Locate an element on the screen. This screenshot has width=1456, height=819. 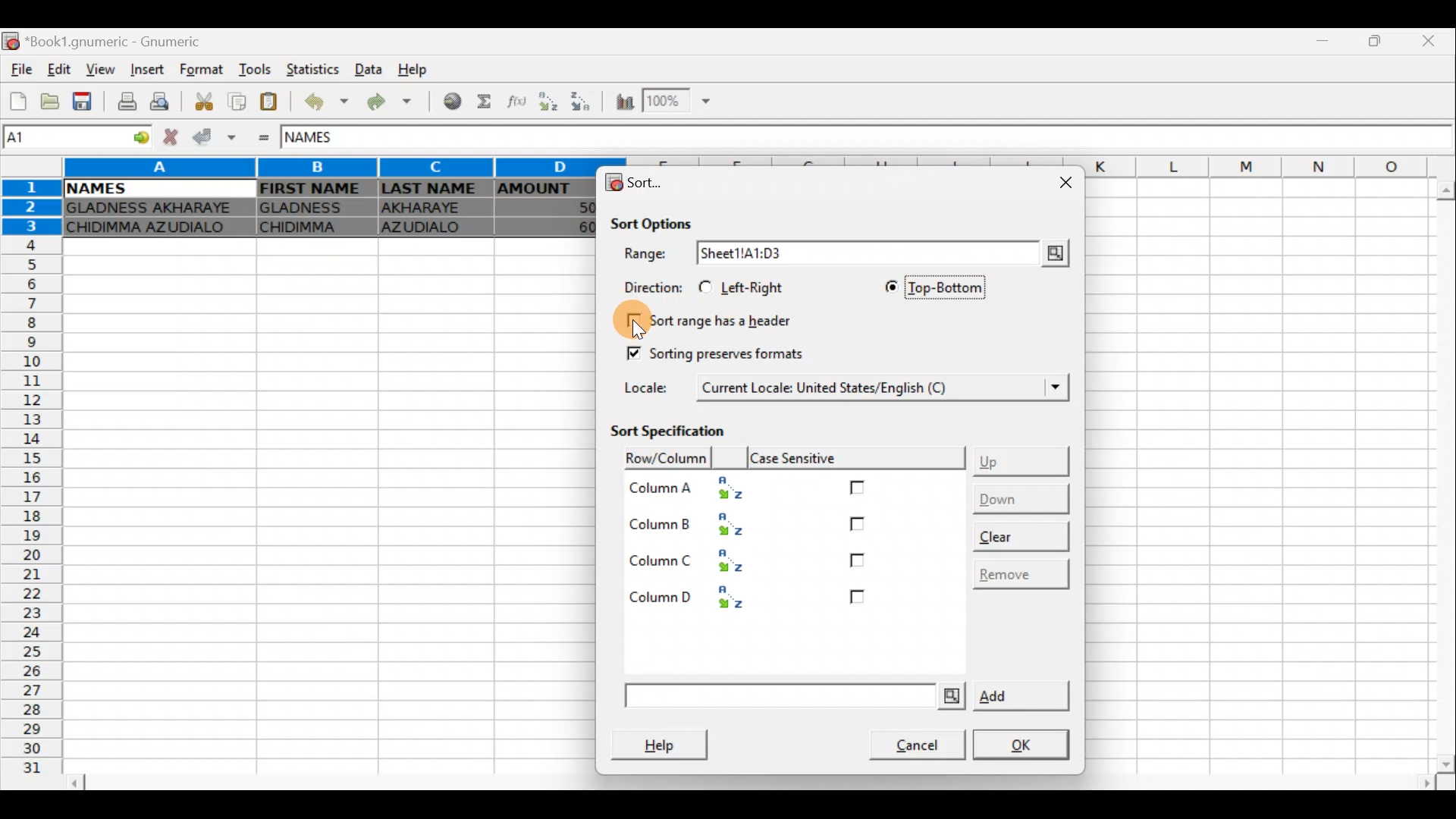
Formula bar is located at coordinates (915, 140).